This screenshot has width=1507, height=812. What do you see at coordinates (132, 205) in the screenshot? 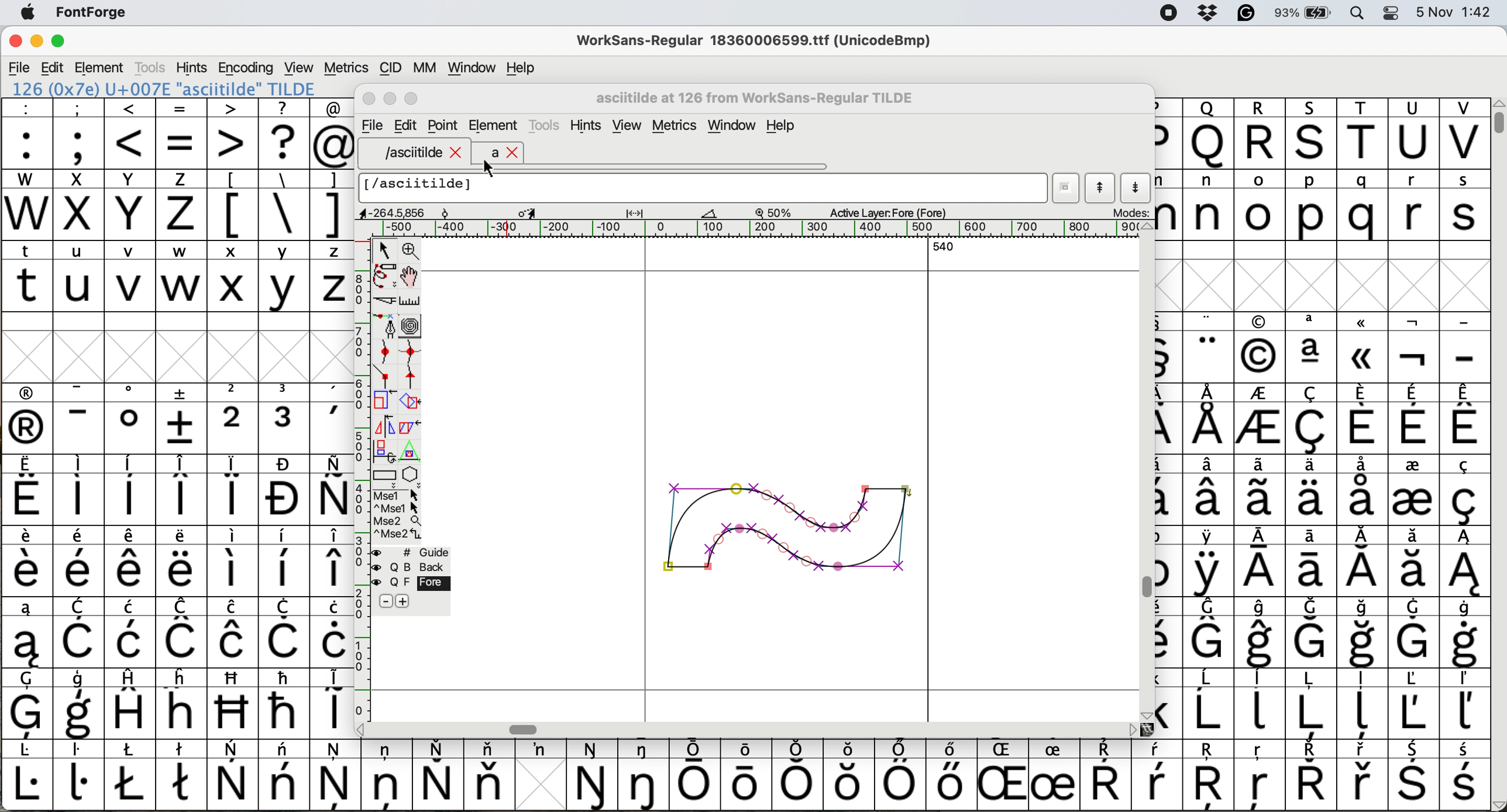
I see `Y` at bounding box center [132, 205].